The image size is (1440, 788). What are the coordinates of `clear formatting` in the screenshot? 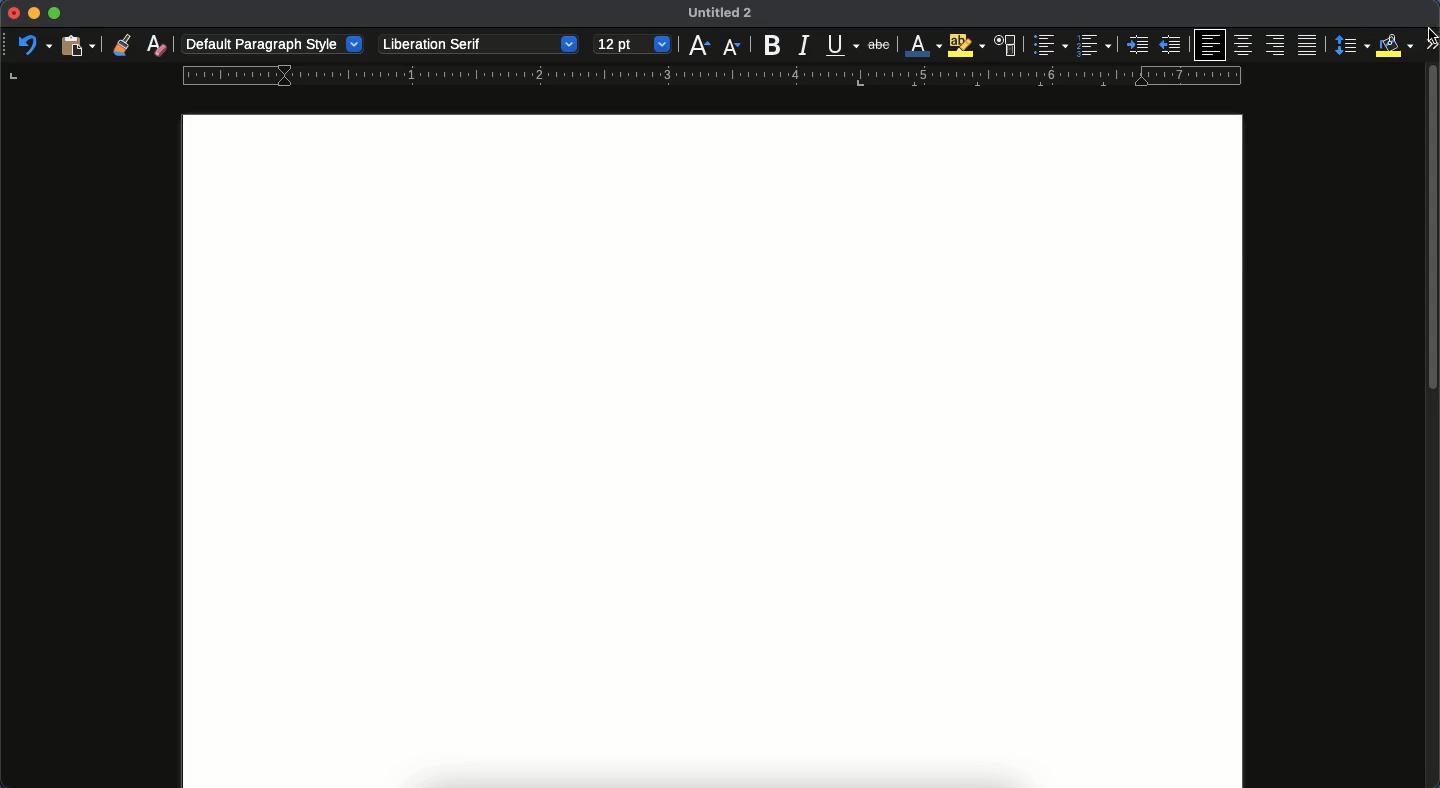 It's located at (156, 45).